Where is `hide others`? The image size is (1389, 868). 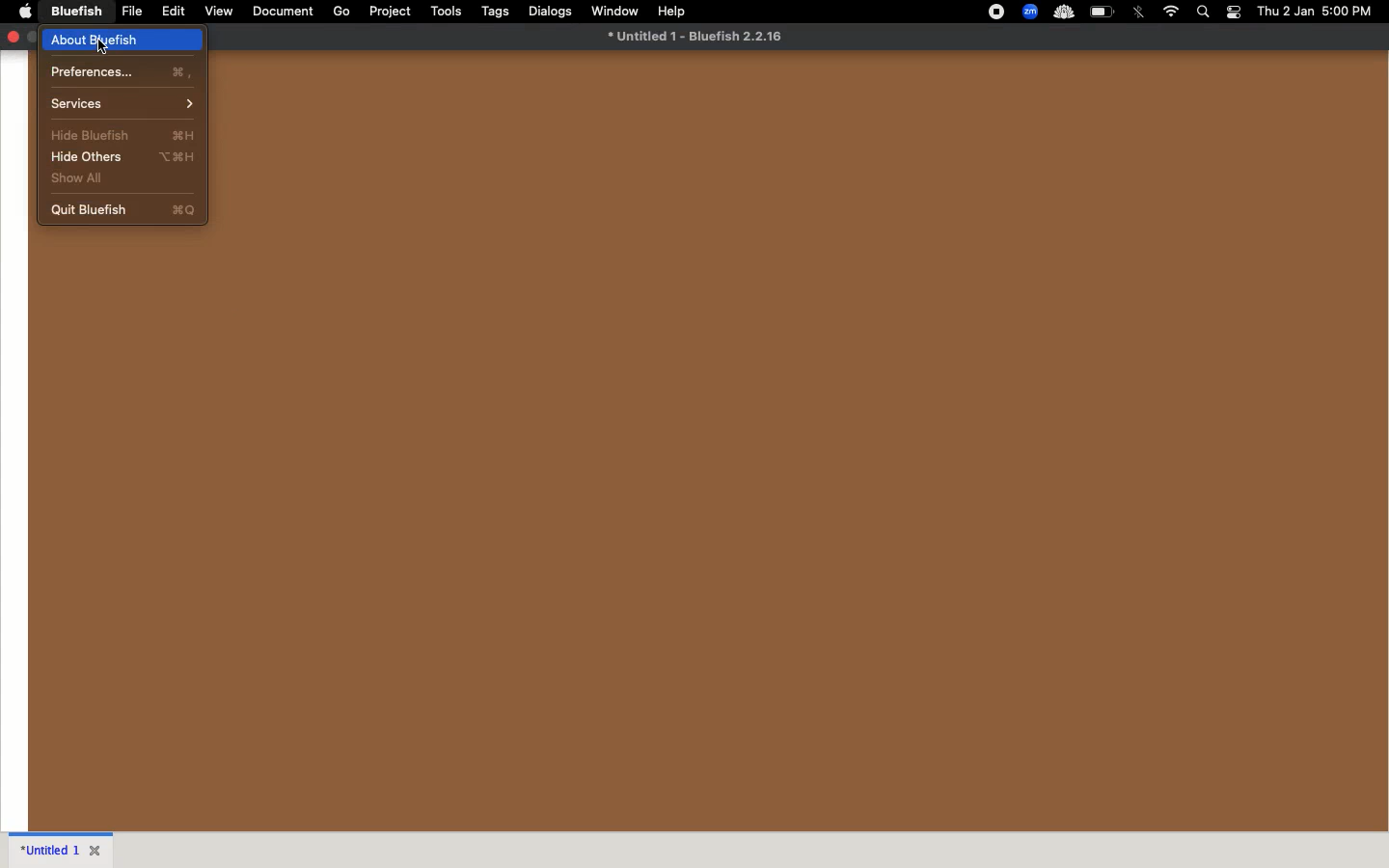 hide others is located at coordinates (125, 156).